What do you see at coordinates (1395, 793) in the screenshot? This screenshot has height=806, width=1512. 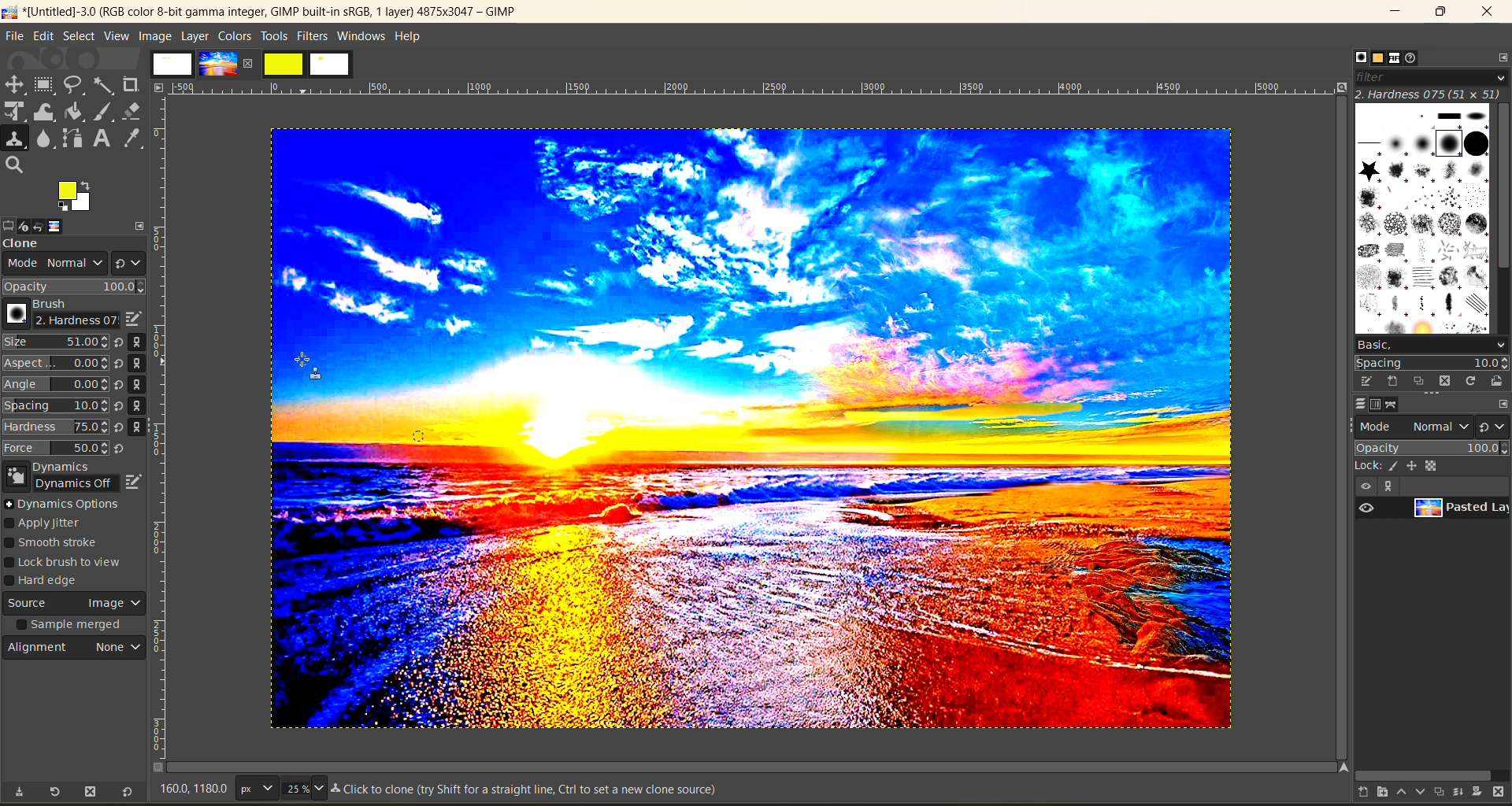 I see `raise this layer` at bounding box center [1395, 793].